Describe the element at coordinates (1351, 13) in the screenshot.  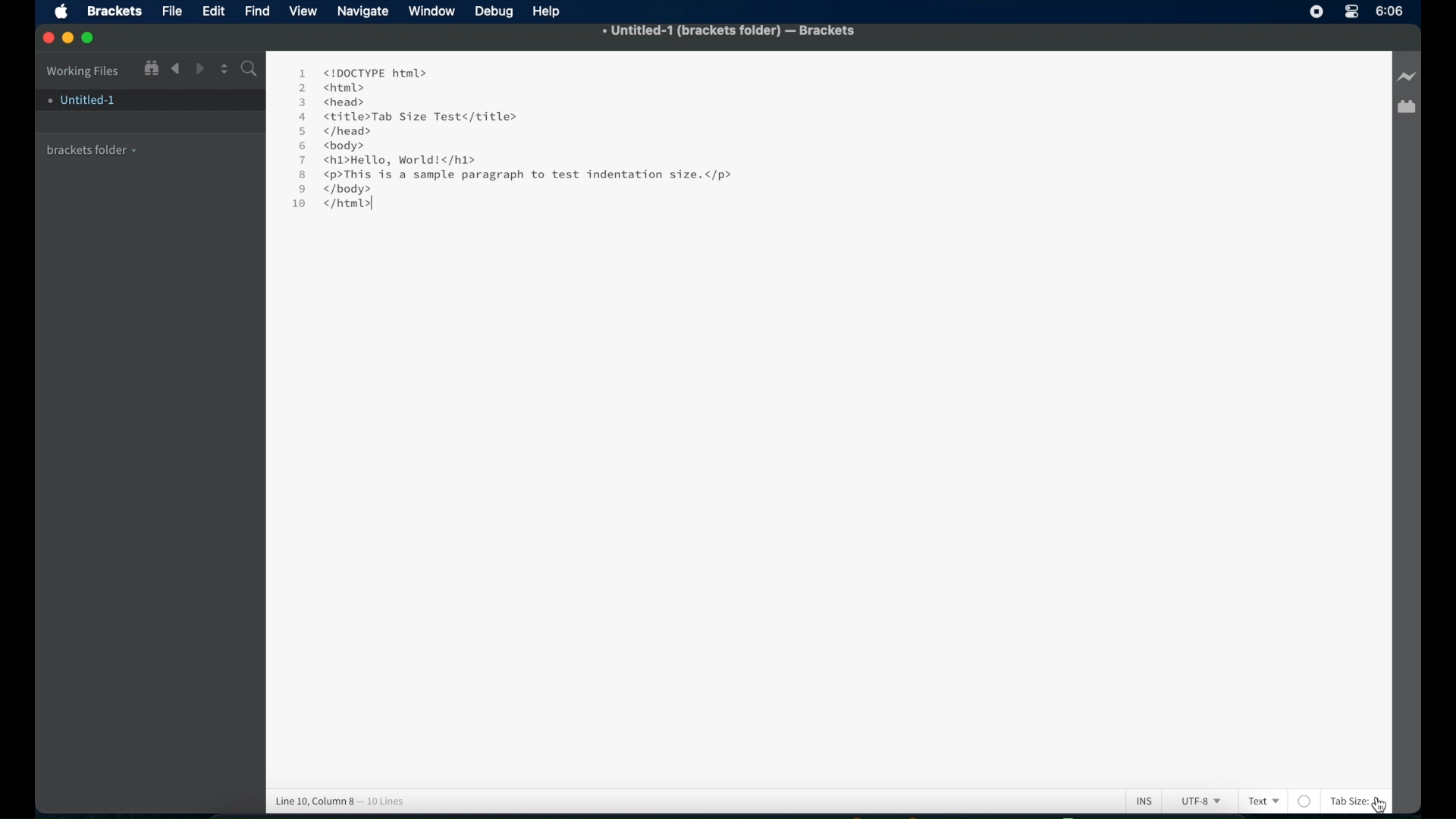
I see `Recording` at that location.